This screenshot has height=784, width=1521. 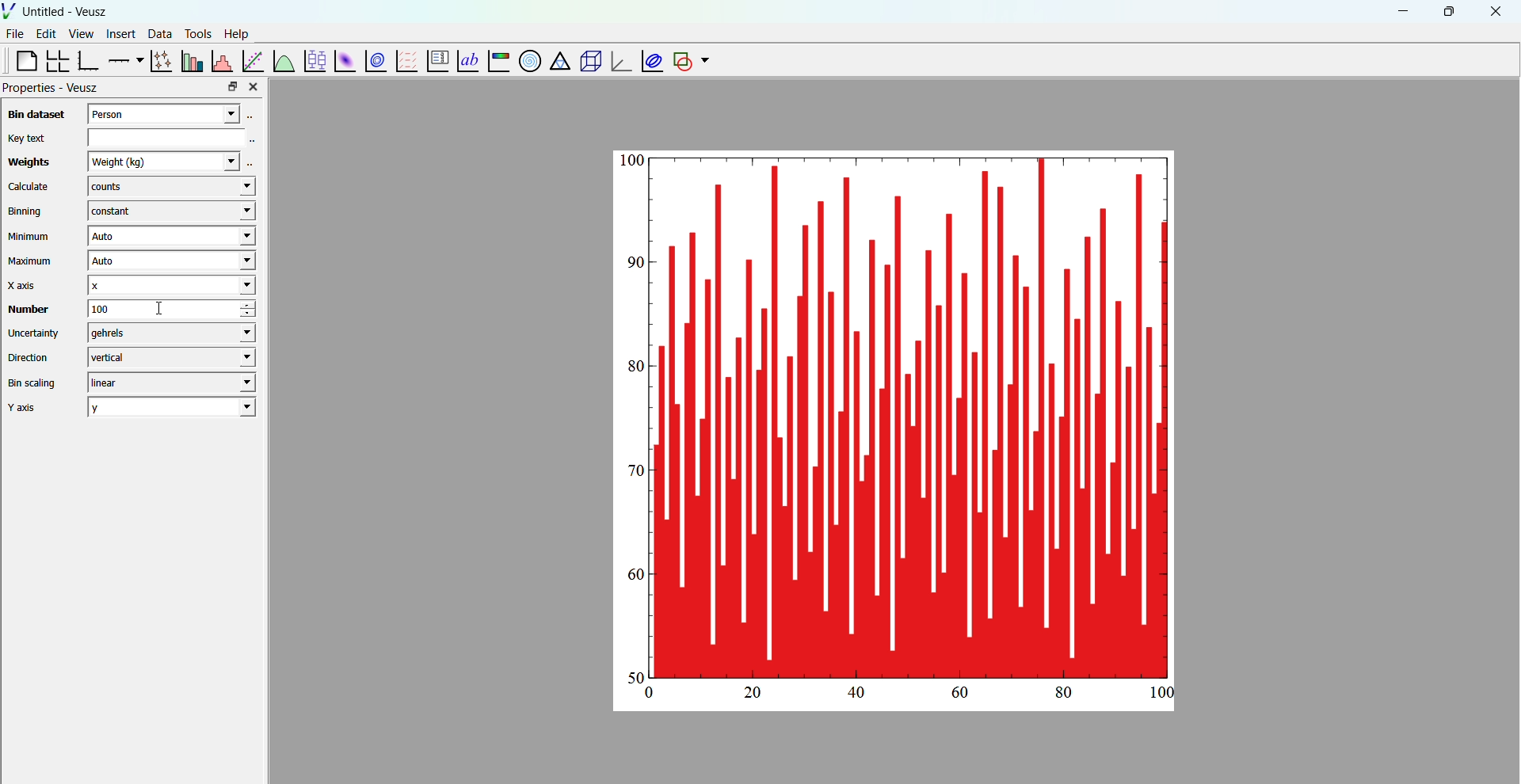 I want to click on Calculate, so click(x=29, y=188).